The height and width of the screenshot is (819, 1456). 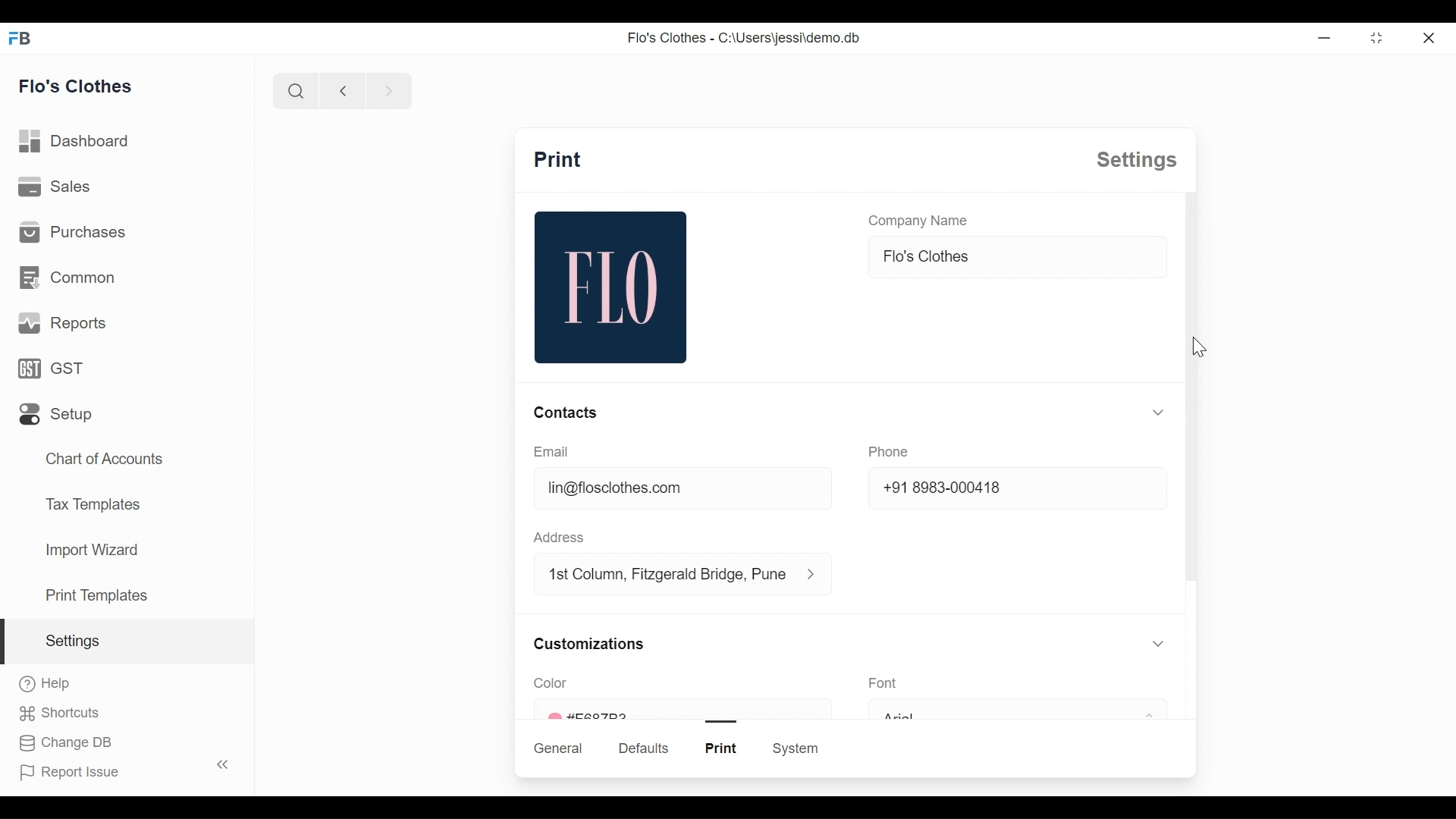 What do you see at coordinates (106, 460) in the screenshot?
I see `chart of accounts` at bounding box center [106, 460].